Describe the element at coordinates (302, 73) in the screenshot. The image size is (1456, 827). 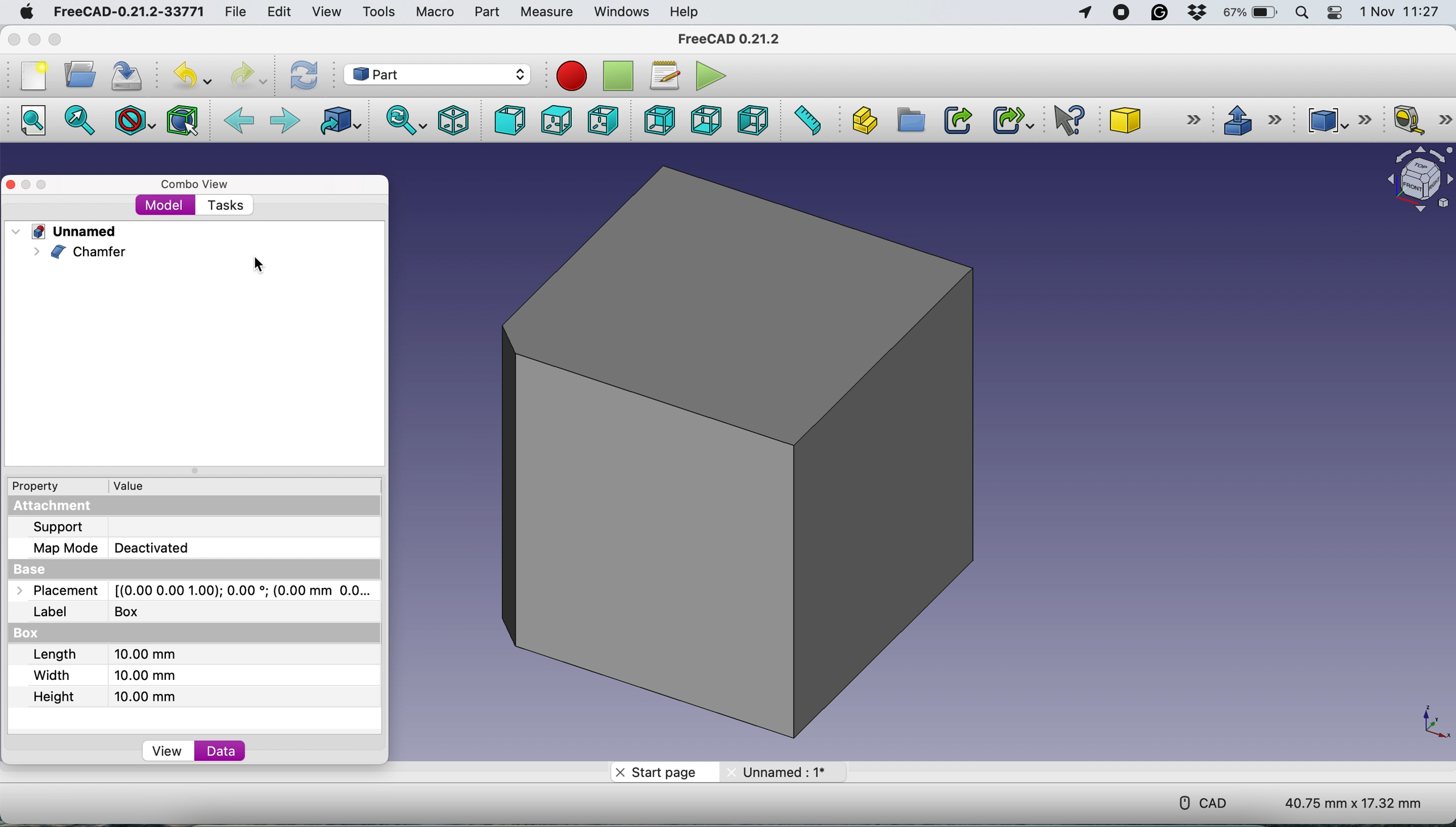
I see `refresh` at that location.